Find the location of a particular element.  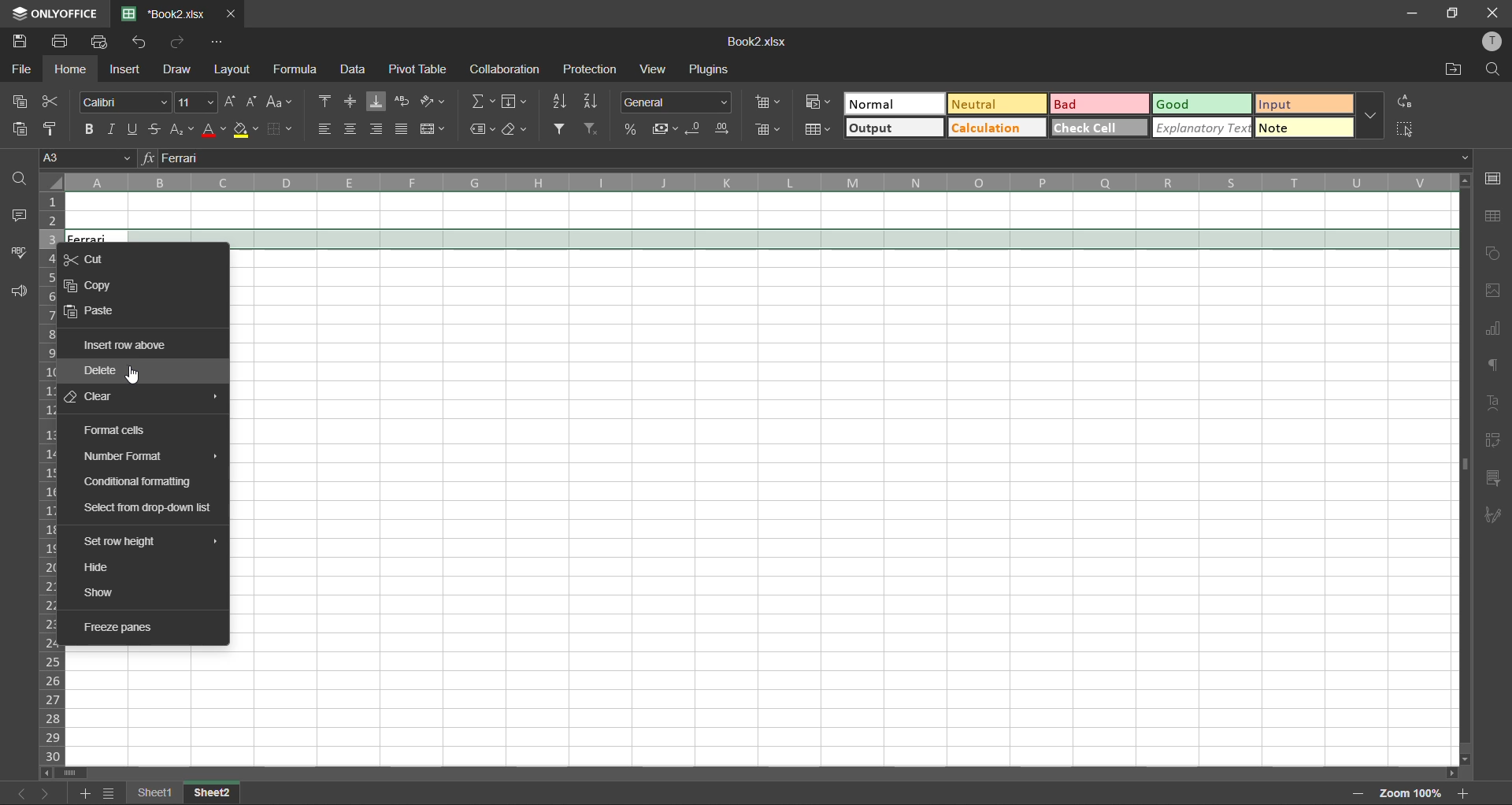

table is located at coordinates (1495, 218).